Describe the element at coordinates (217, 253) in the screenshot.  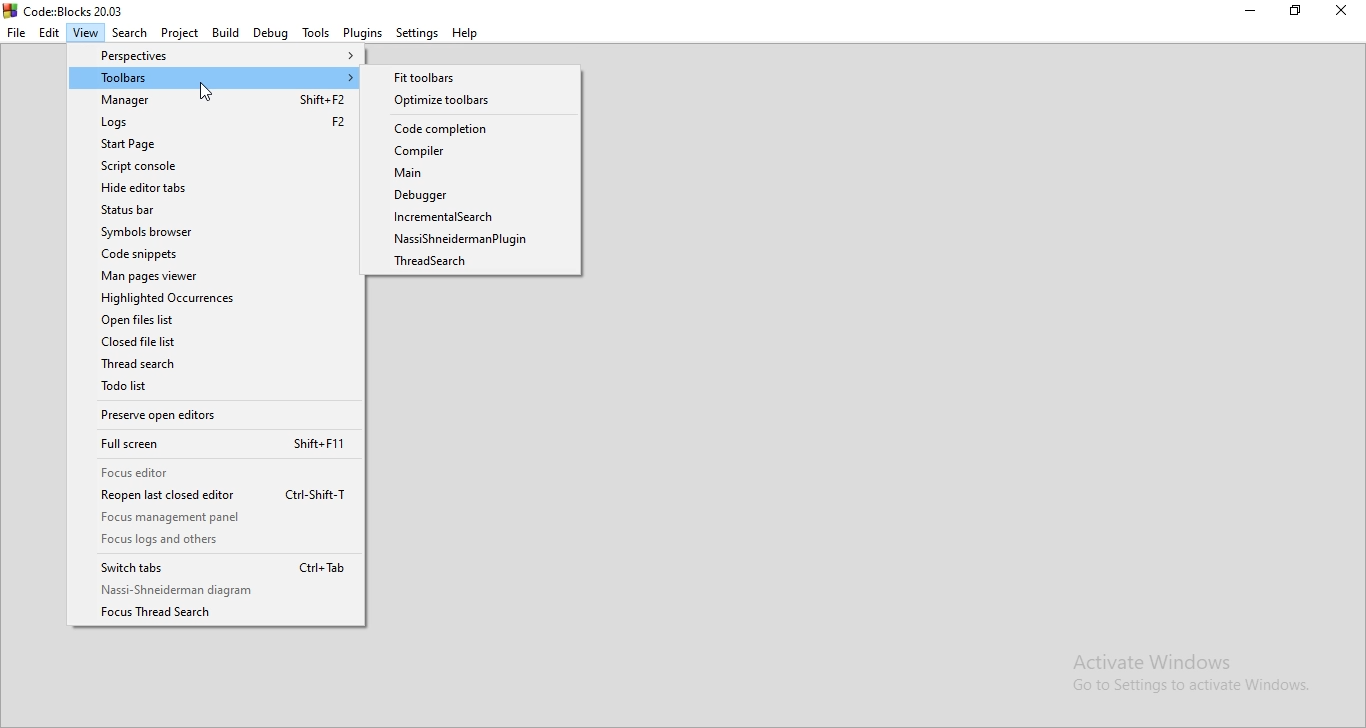
I see `Code snippets` at that location.